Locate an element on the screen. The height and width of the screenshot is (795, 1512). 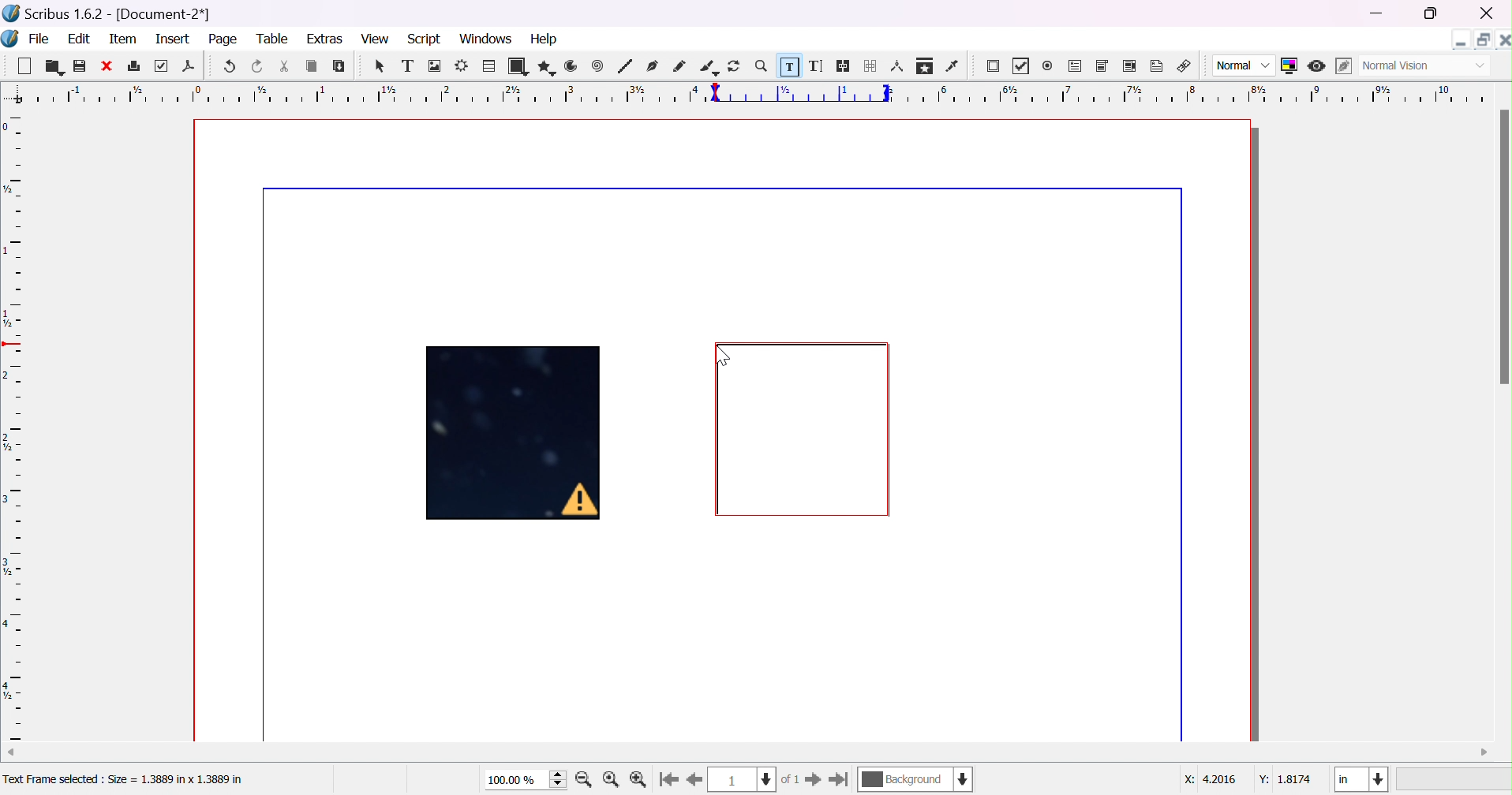
edit contents of frame is located at coordinates (788, 64).